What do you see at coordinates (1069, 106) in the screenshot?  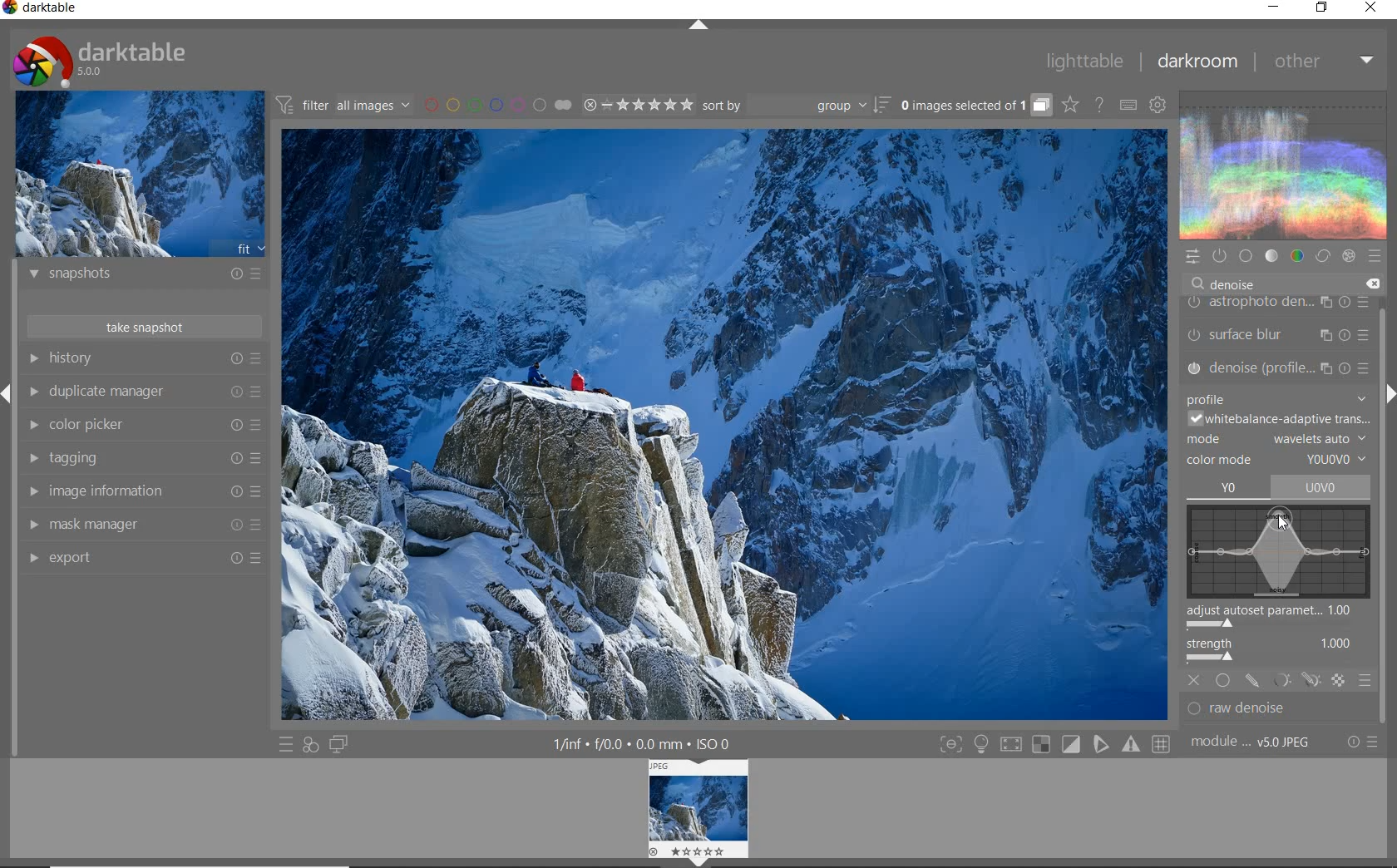 I see `click to change overlays on thumbnails` at bounding box center [1069, 106].